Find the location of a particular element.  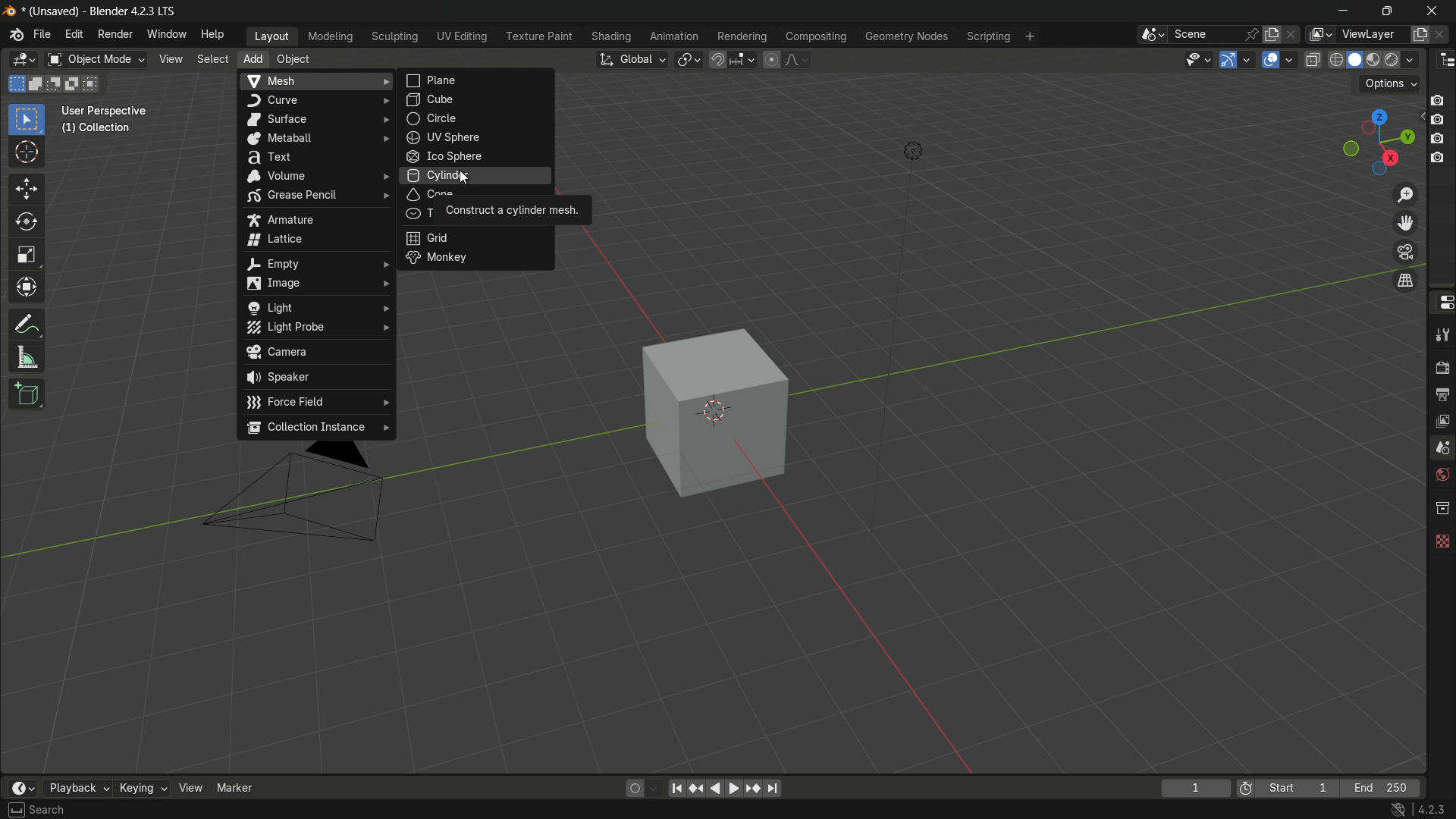

jump to endpoint is located at coordinates (772, 789).